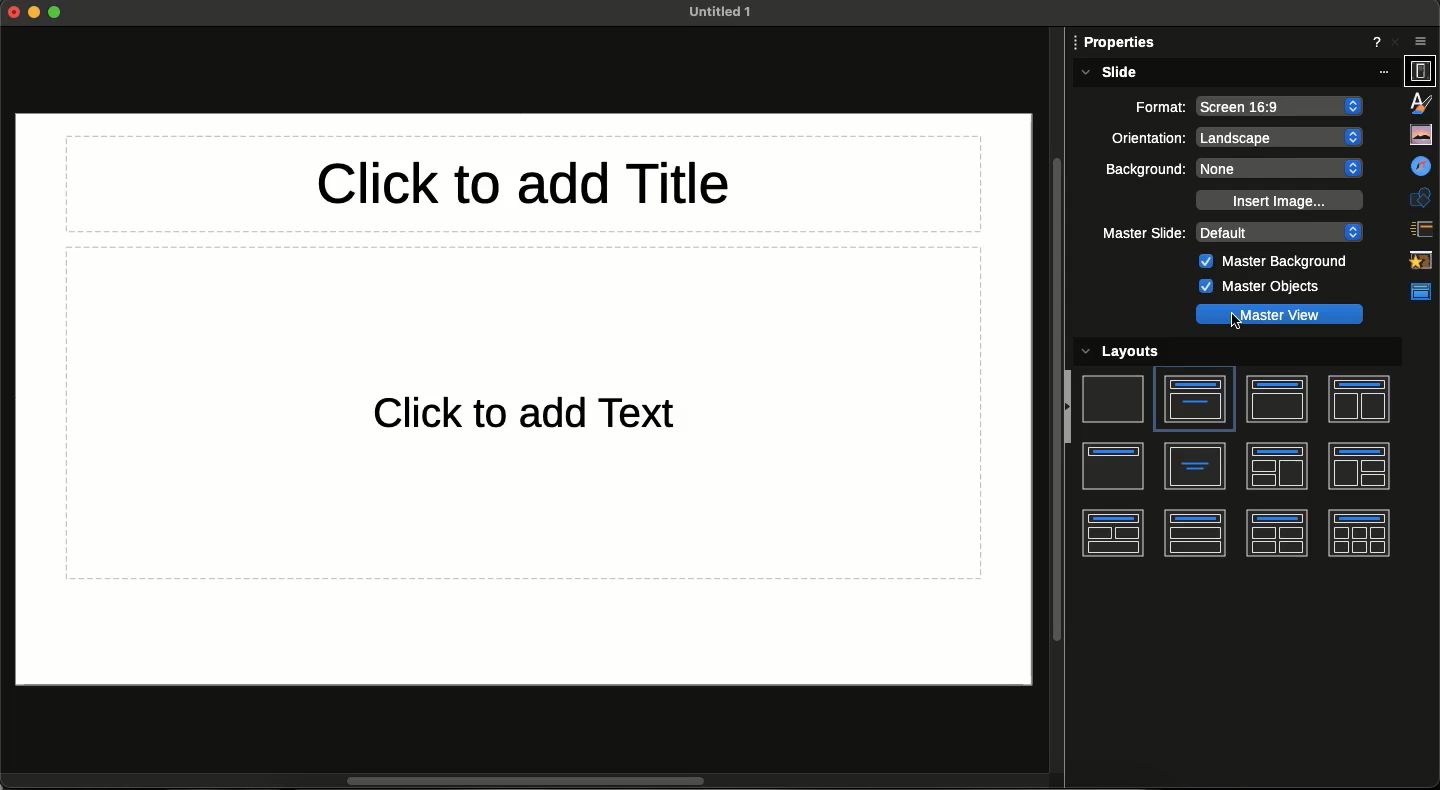 This screenshot has width=1440, height=790. Describe the element at coordinates (1420, 167) in the screenshot. I see `Navigator` at that location.